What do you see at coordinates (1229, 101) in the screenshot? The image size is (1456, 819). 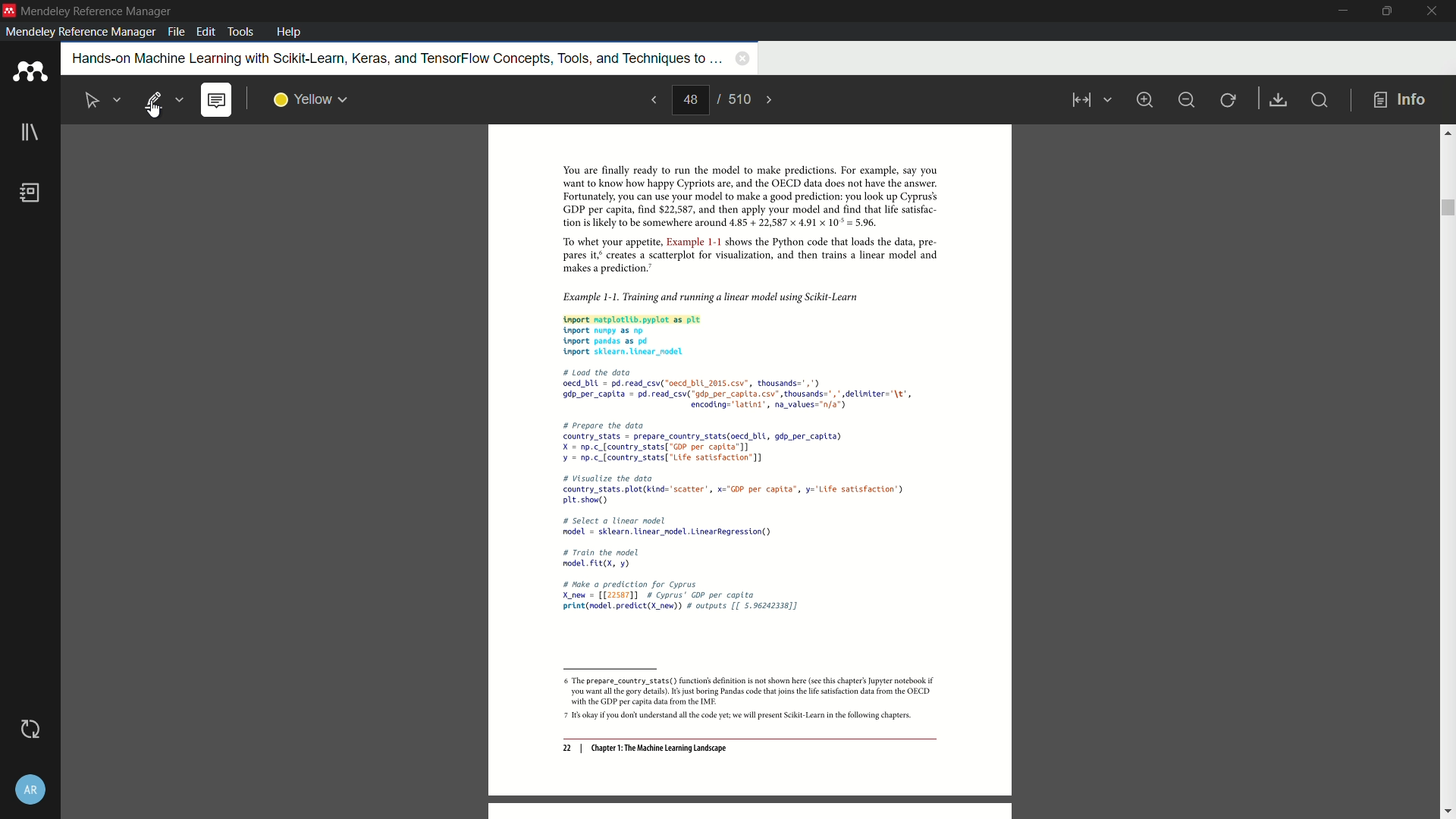 I see `rotate` at bounding box center [1229, 101].